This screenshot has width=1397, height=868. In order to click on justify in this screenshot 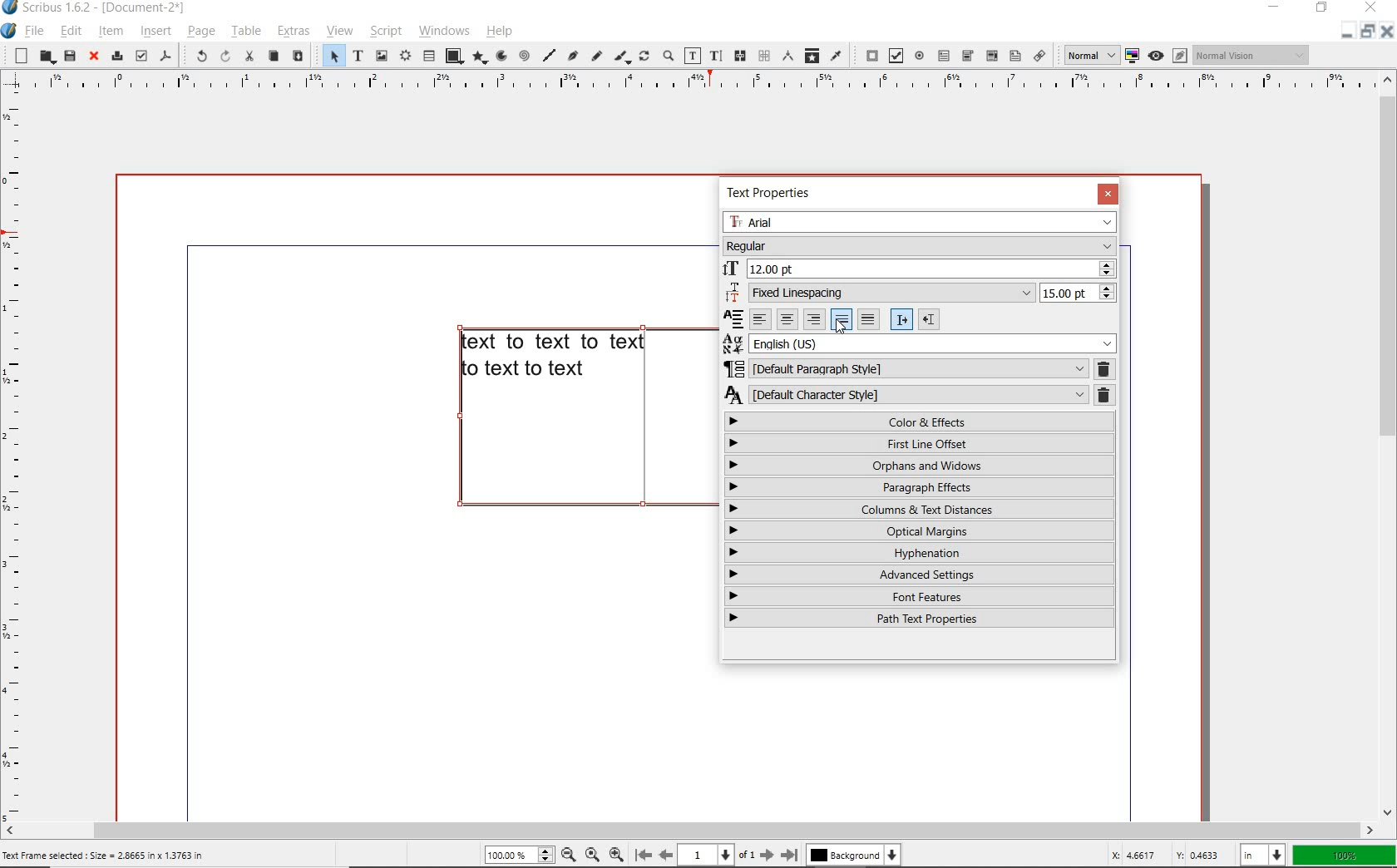, I will do `click(841, 319)`.